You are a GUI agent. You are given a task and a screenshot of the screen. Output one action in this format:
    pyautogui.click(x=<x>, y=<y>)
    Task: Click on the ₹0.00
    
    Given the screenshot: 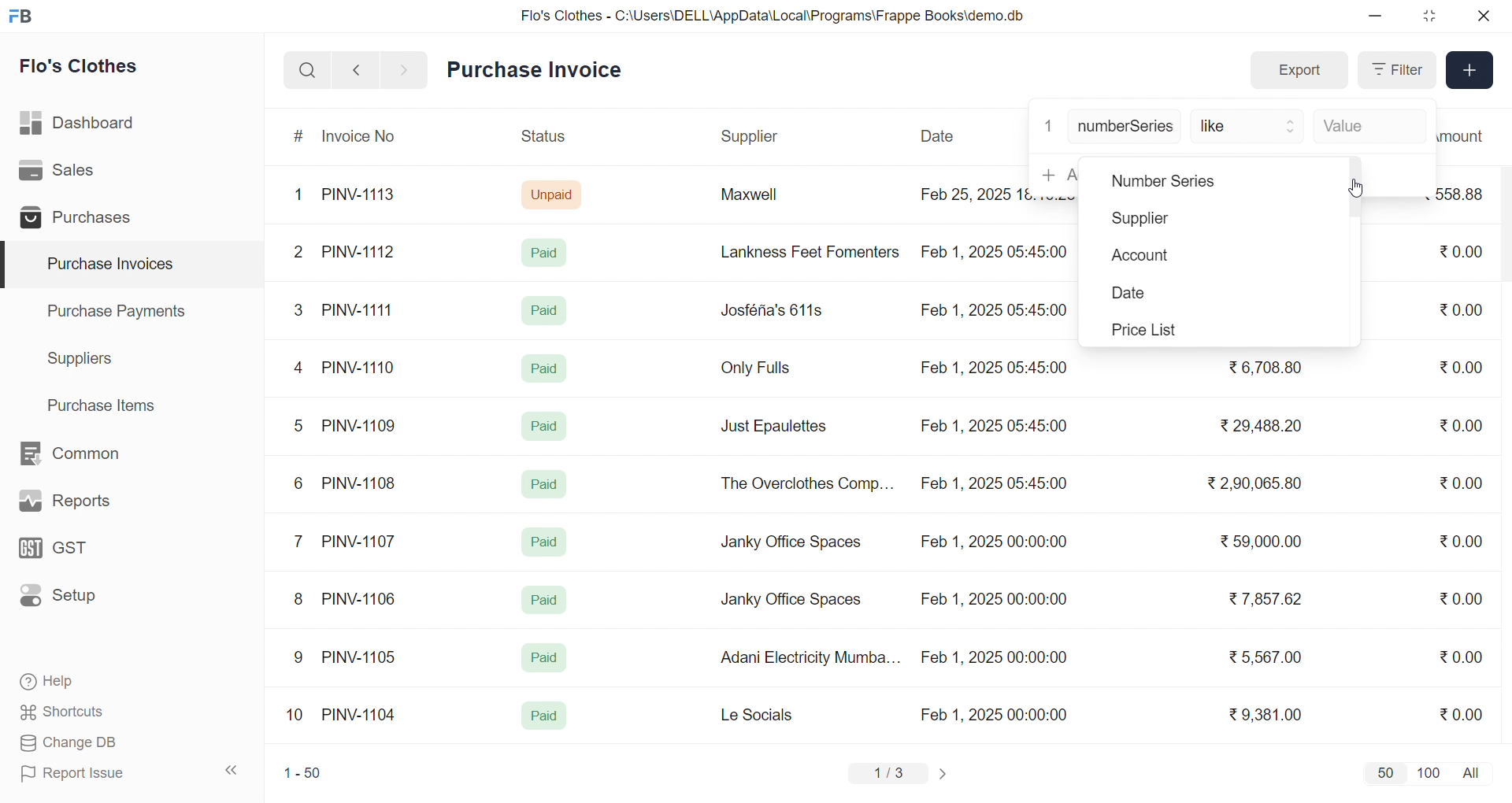 What is the action you would take?
    pyautogui.click(x=1466, y=539)
    